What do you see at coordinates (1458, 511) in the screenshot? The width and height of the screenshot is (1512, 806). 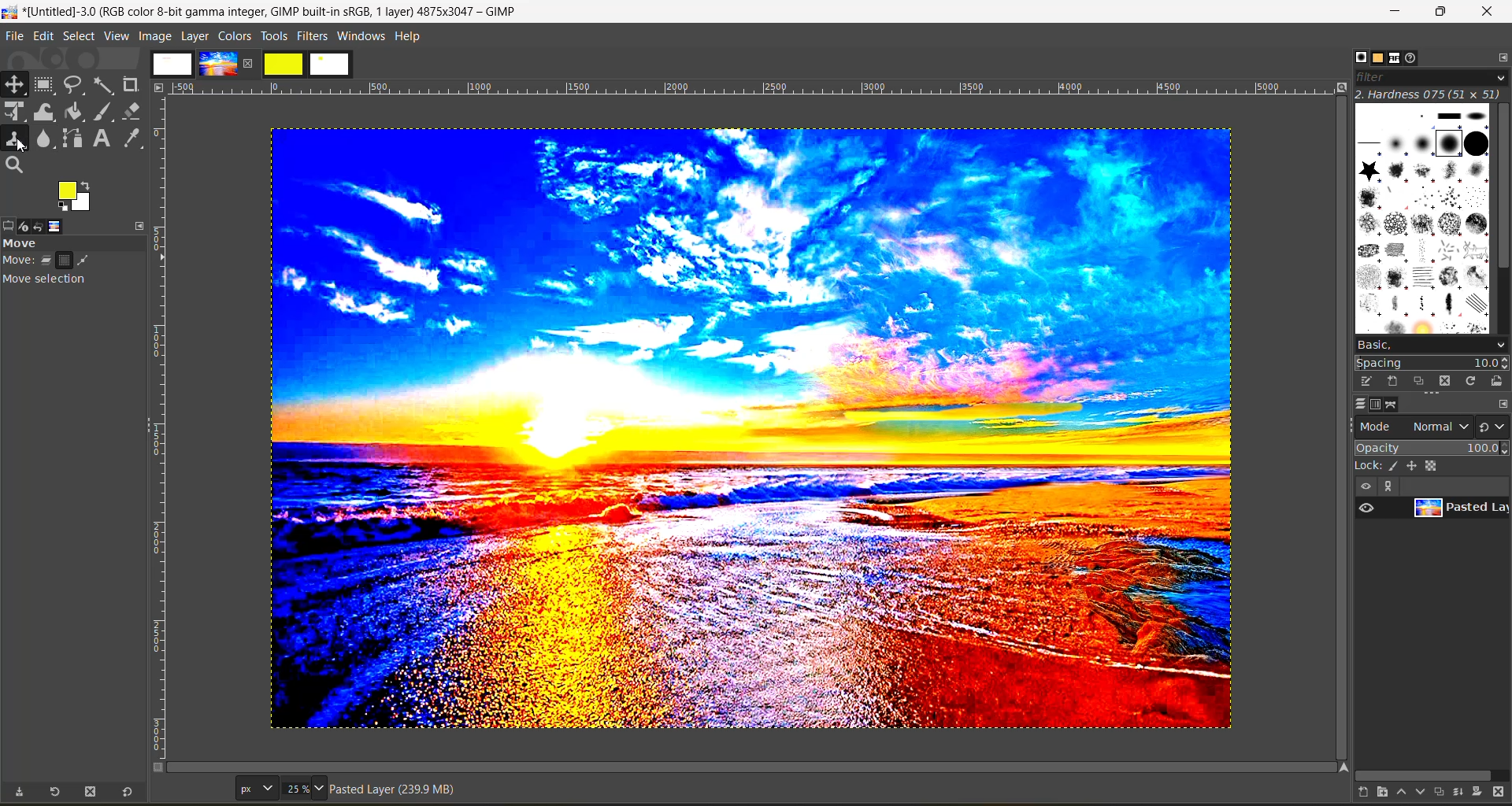 I see `layer` at bounding box center [1458, 511].